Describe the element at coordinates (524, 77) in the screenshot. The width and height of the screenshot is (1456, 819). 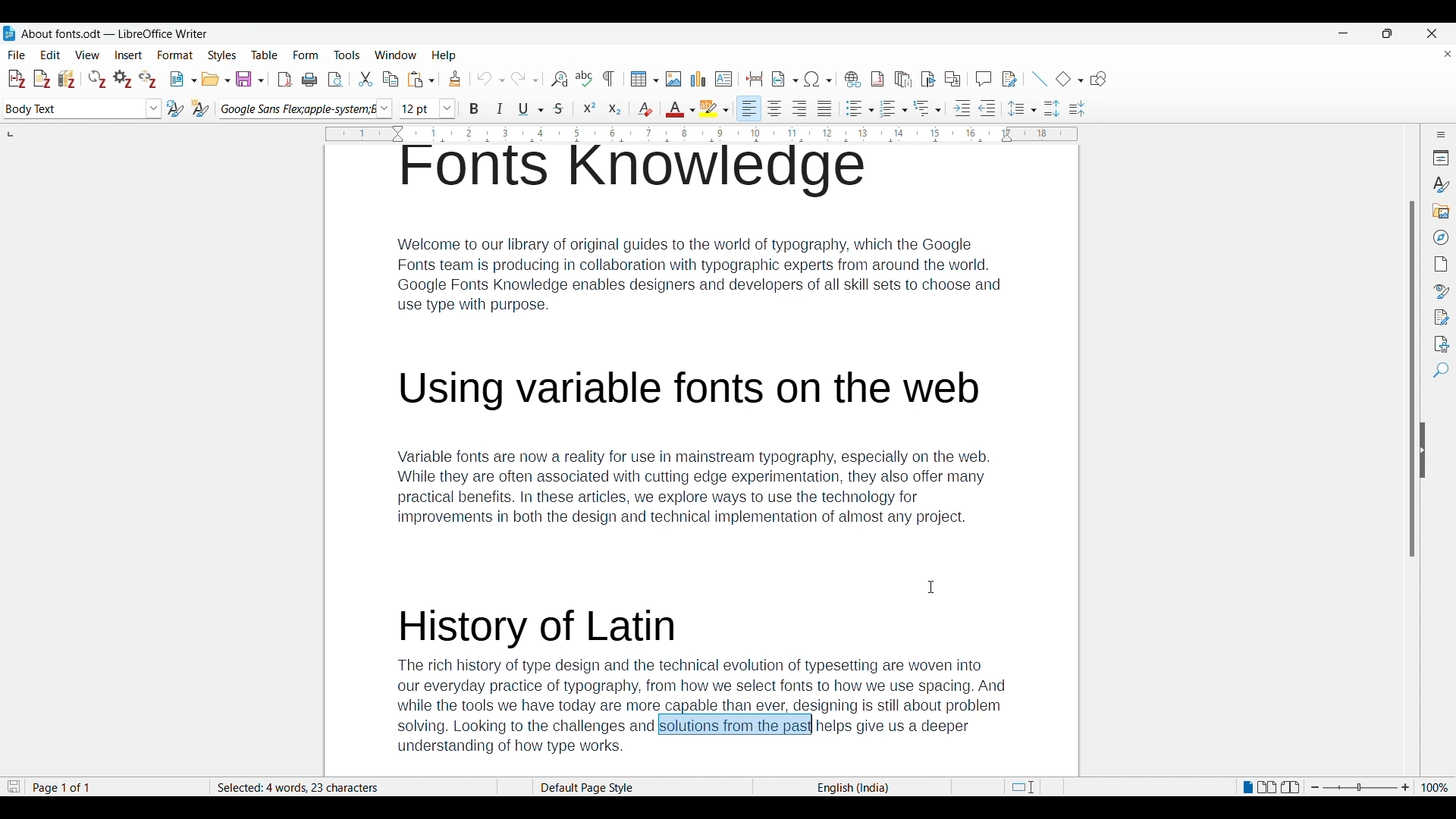
I see `Redo` at that location.